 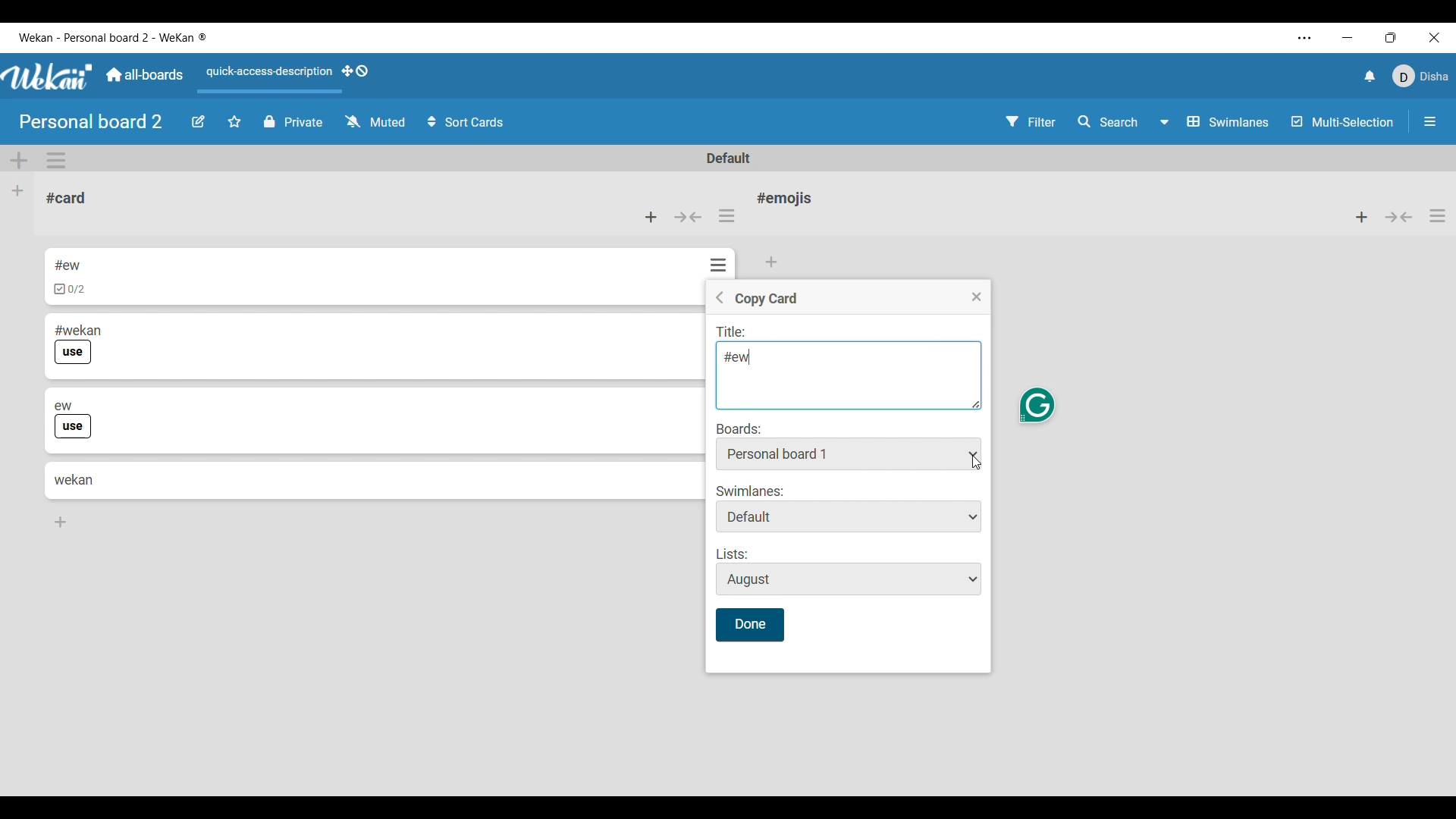 I want to click on Software logo, so click(x=49, y=76).